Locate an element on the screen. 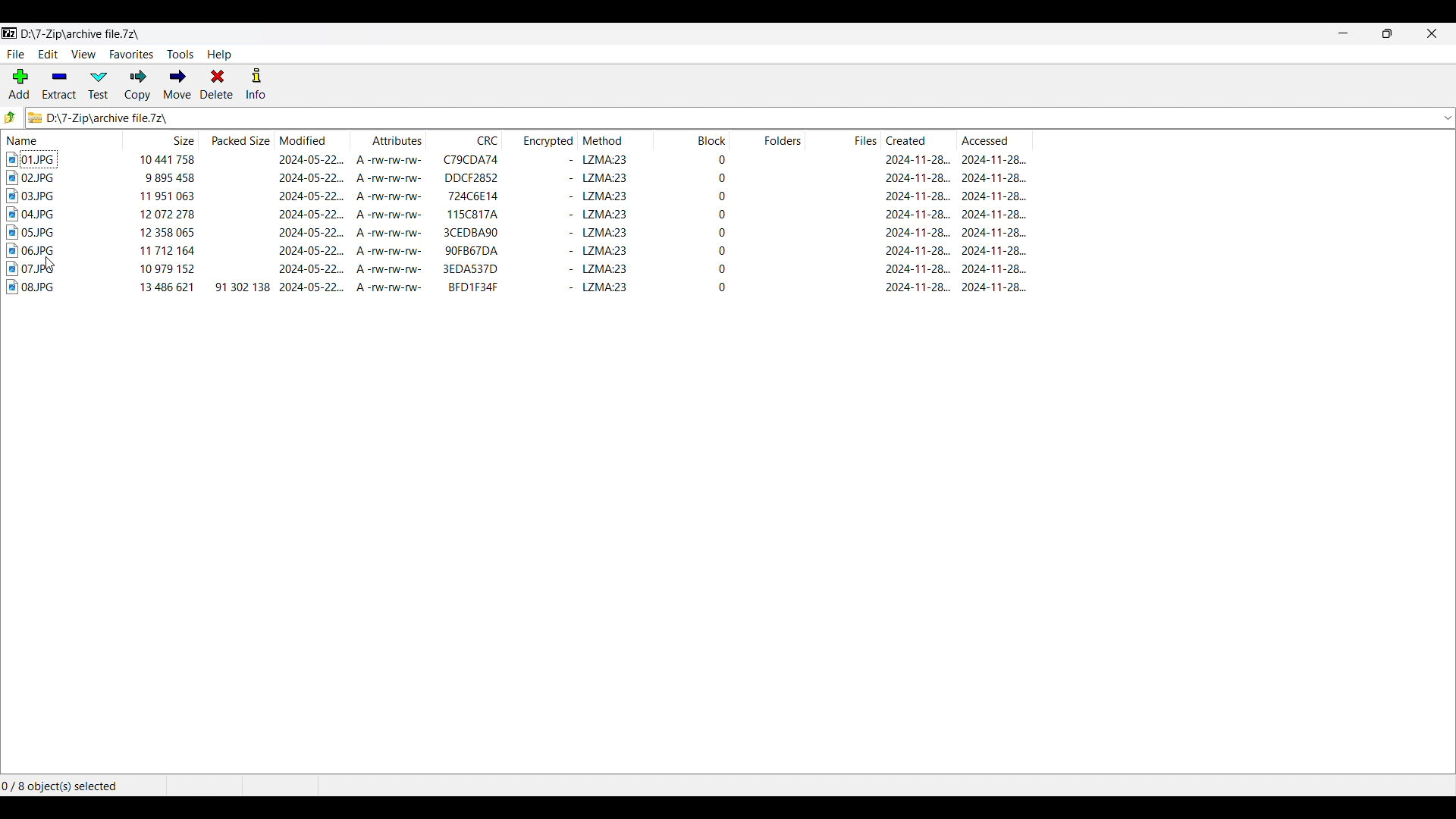 This screenshot has width=1456, height=819. Edit menu is located at coordinates (49, 54).